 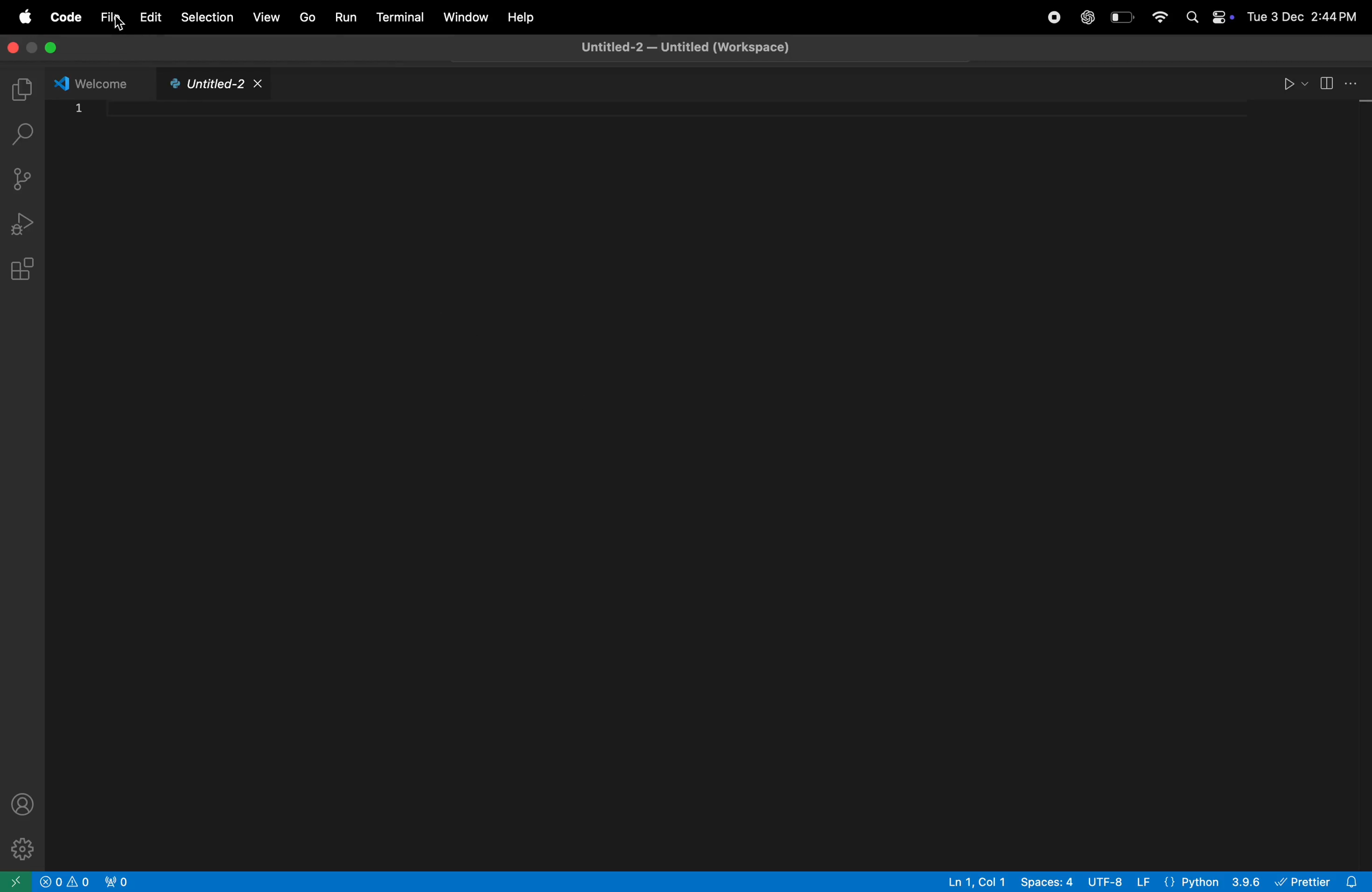 What do you see at coordinates (66, 881) in the screenshot?
I see `no problems` at bounding box center [66, 881].